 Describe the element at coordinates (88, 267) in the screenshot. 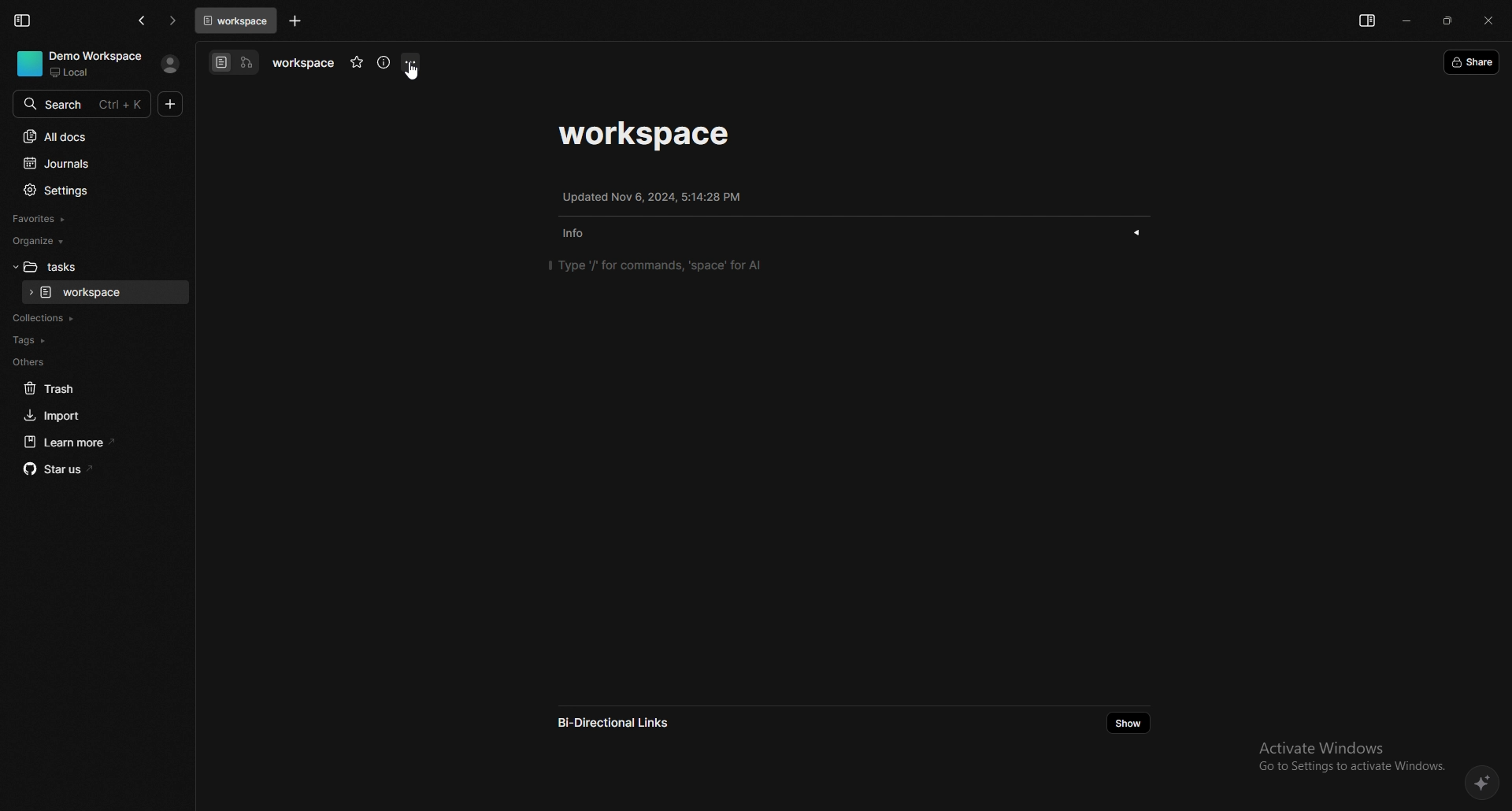

I see `folder` at that location.